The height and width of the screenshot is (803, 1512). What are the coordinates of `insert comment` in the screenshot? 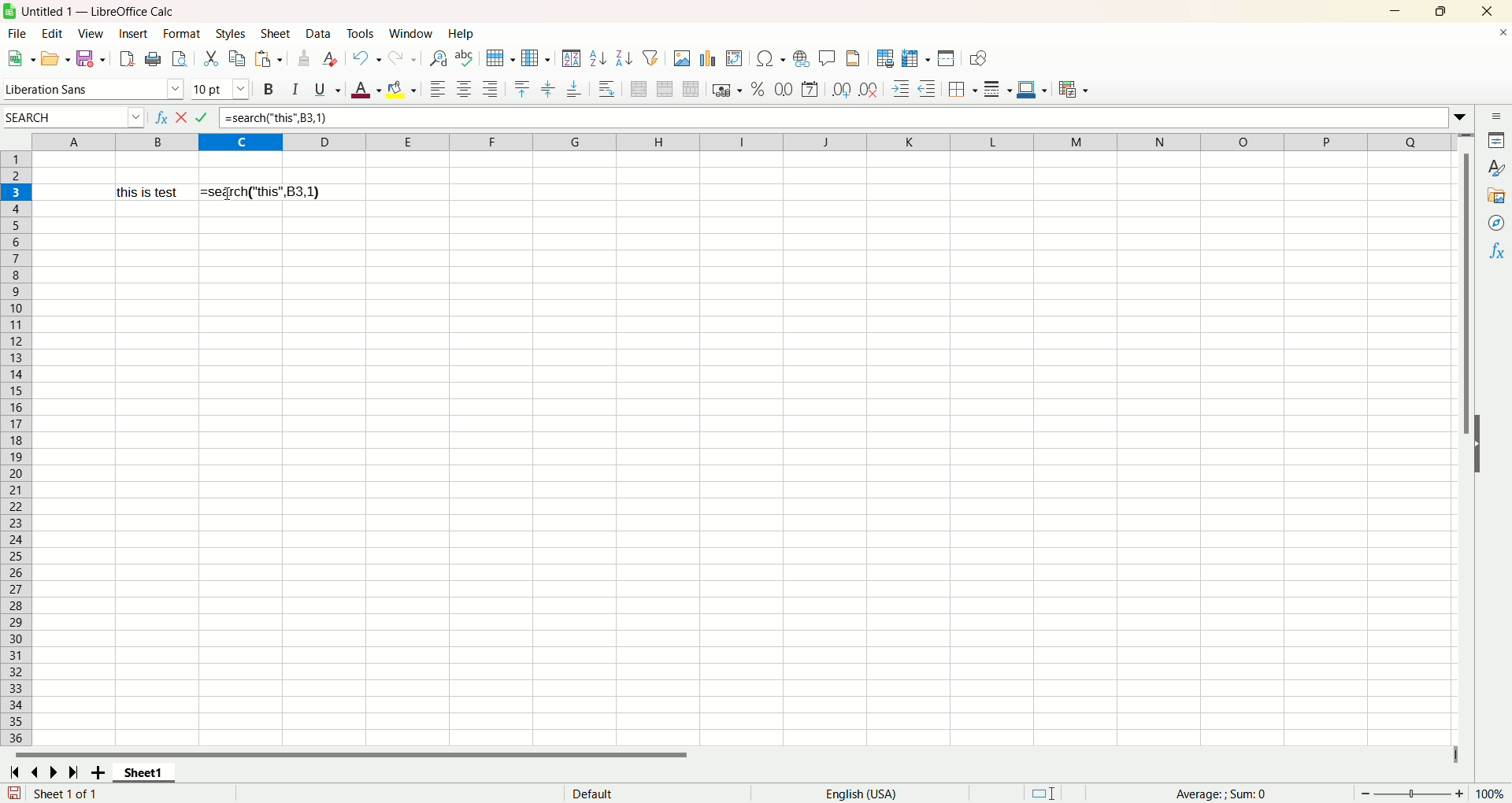 It's located at (829, 57).